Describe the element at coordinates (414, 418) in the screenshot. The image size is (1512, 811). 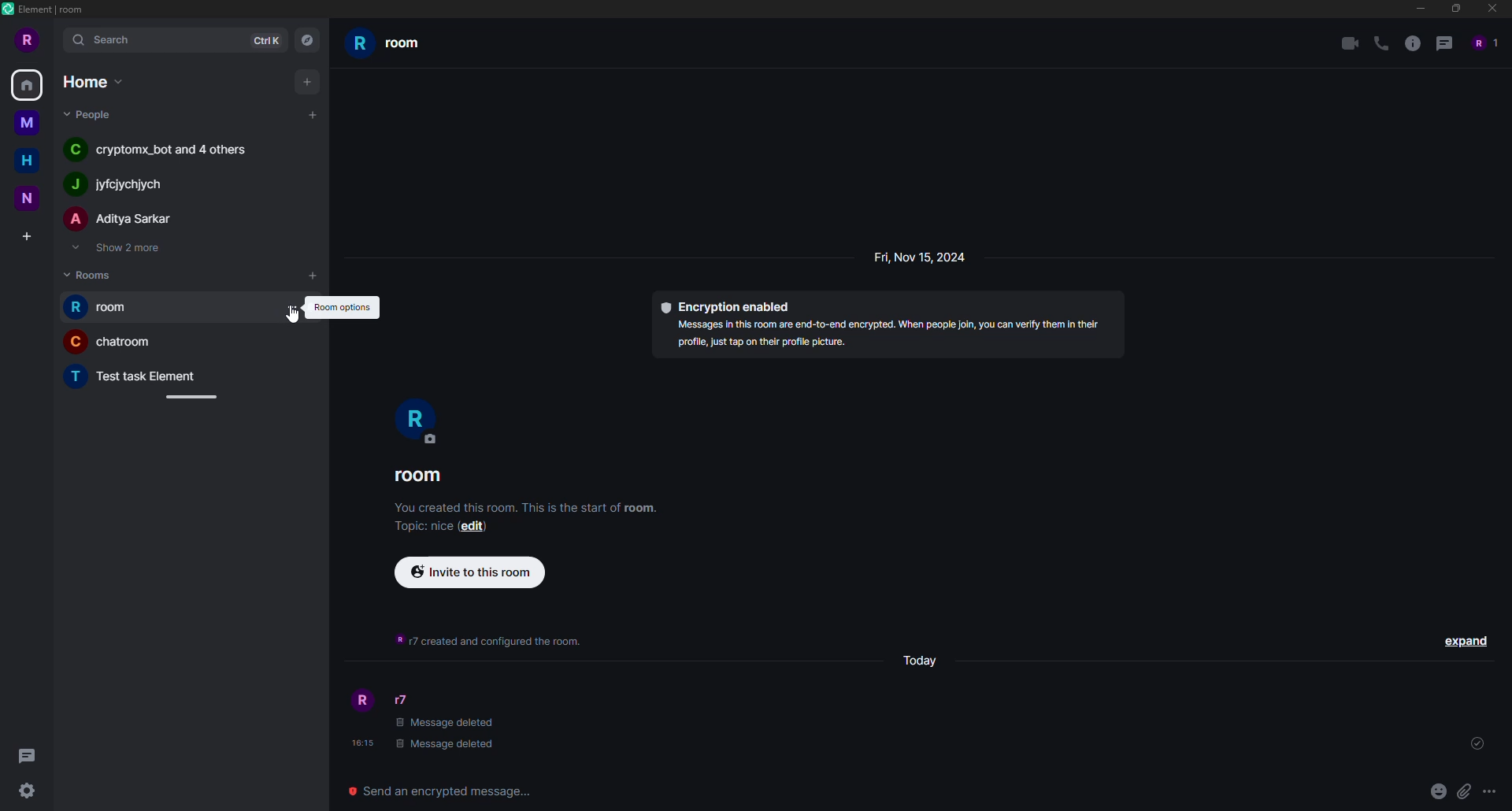
I see `r` at that location.